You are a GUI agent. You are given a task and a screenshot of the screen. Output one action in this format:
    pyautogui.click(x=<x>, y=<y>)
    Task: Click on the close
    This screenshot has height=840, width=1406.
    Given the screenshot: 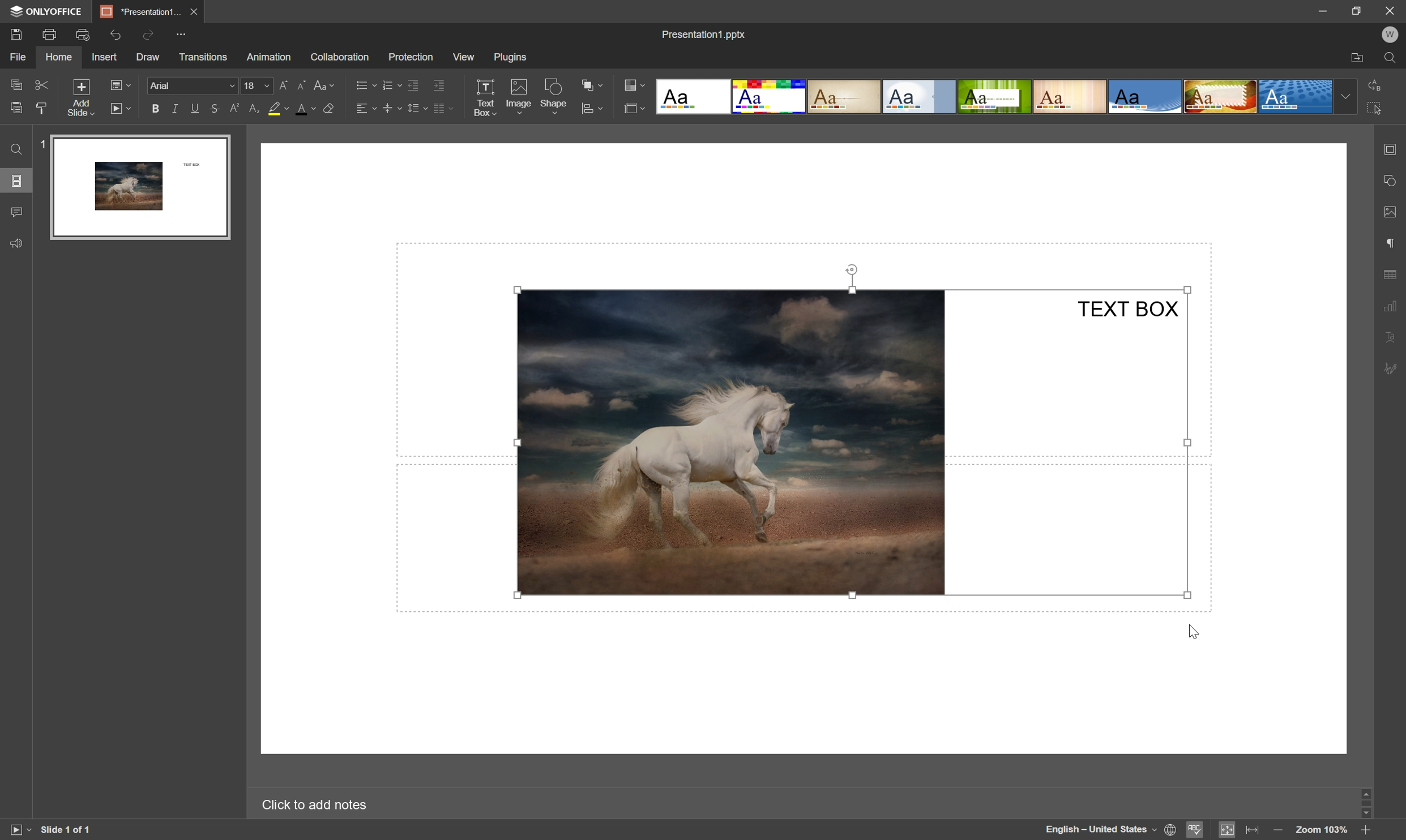 What is the action you would take?
    pyautogui.click(x=195, y=11)
    